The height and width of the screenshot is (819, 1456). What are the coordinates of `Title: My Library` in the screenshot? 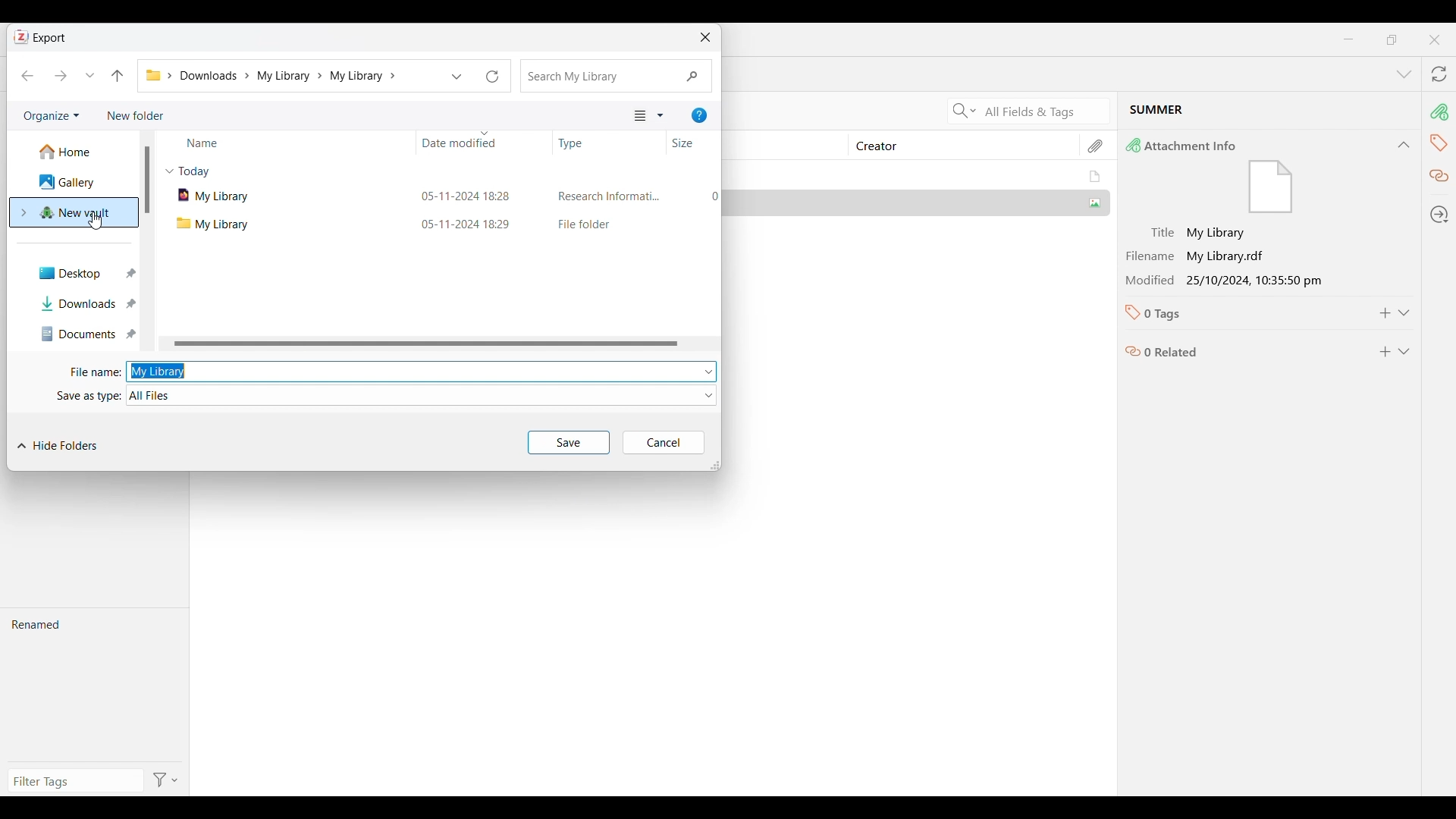 It's located at (1241, 234).